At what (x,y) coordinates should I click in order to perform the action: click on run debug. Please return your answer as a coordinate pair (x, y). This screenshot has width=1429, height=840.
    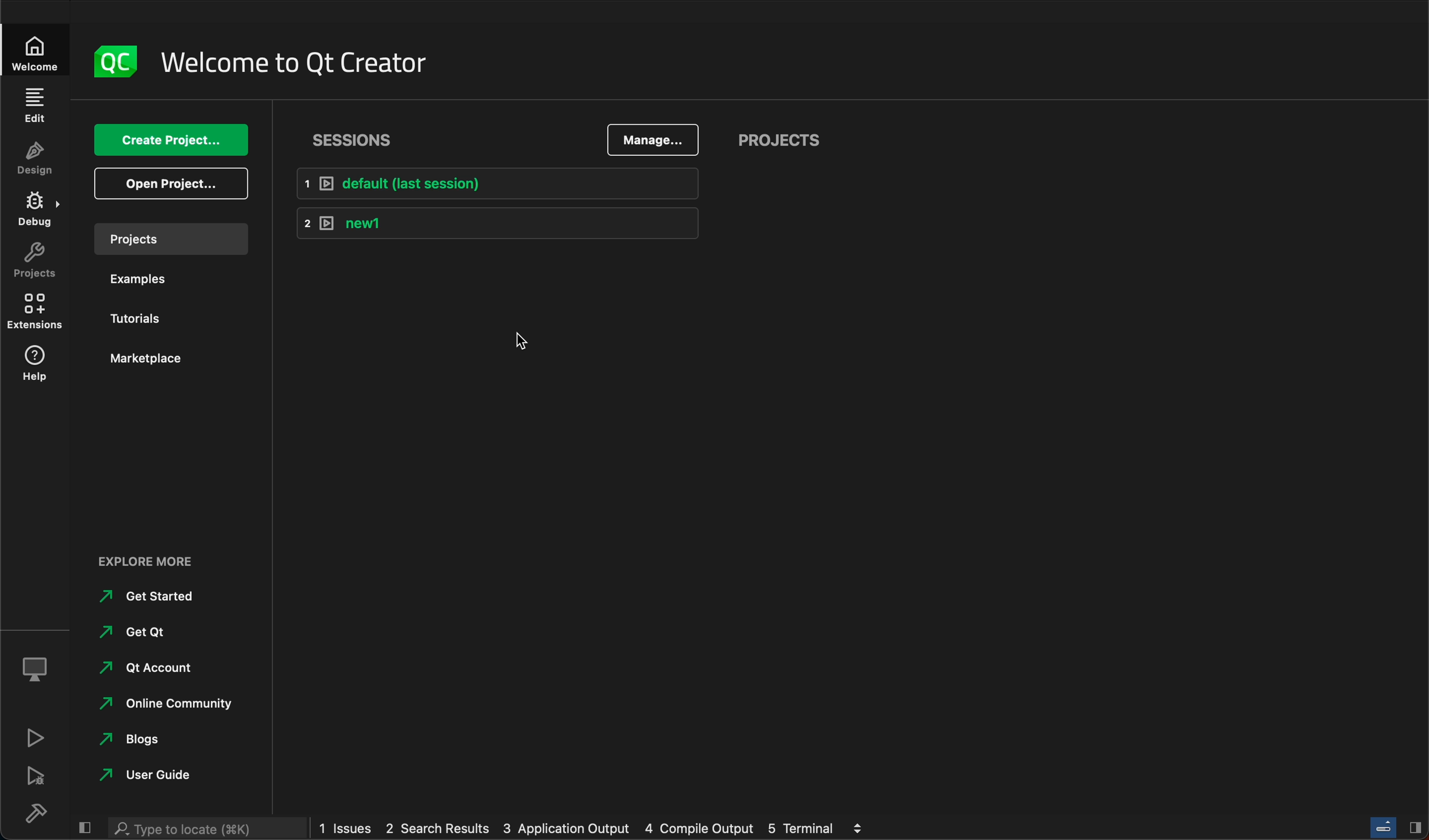
    Looking at the image, I should click on (38, 775).